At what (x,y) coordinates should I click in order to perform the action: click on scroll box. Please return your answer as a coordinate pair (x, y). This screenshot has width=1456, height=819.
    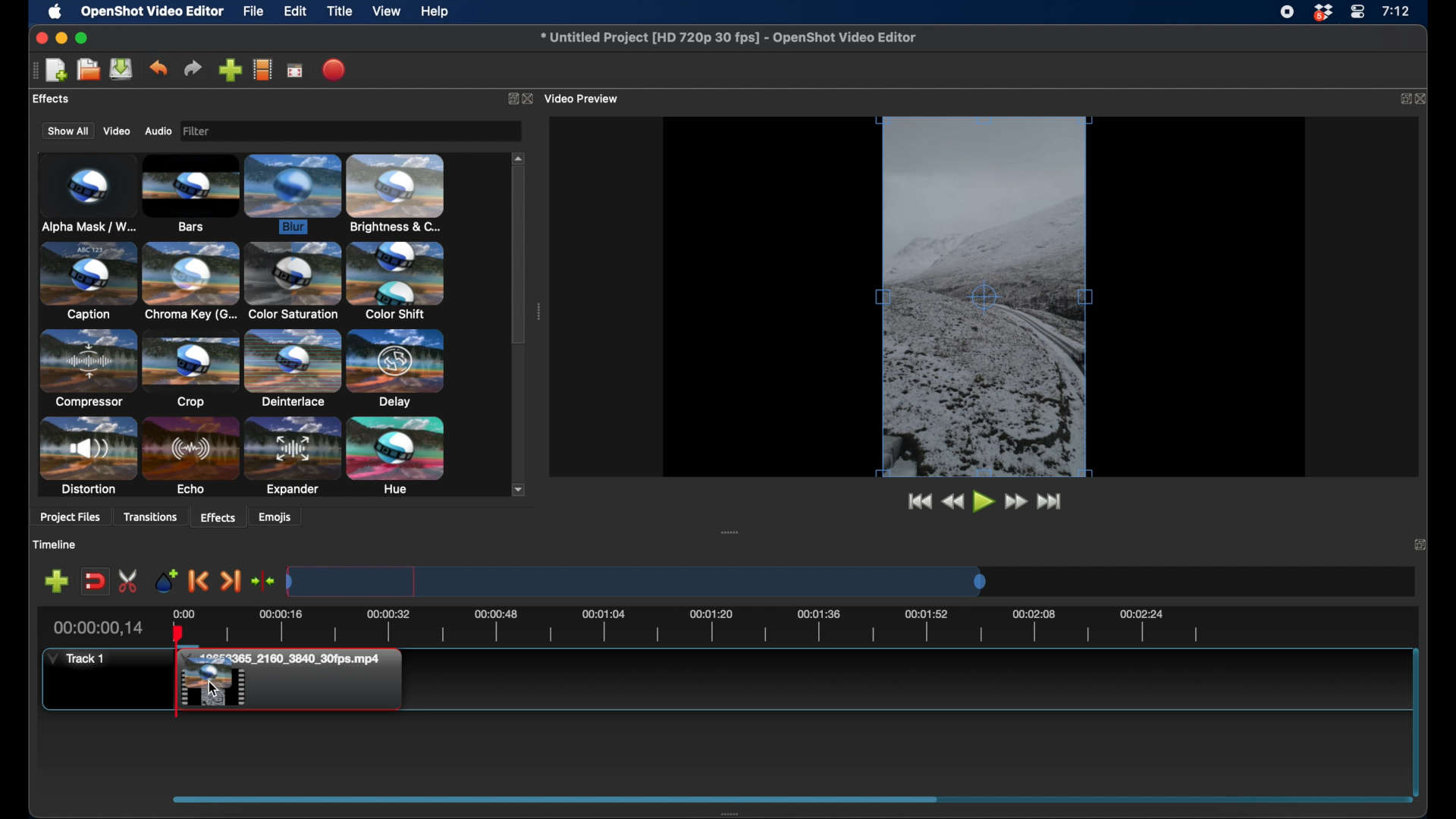
    Looking at the image, I should click on (519, 258).